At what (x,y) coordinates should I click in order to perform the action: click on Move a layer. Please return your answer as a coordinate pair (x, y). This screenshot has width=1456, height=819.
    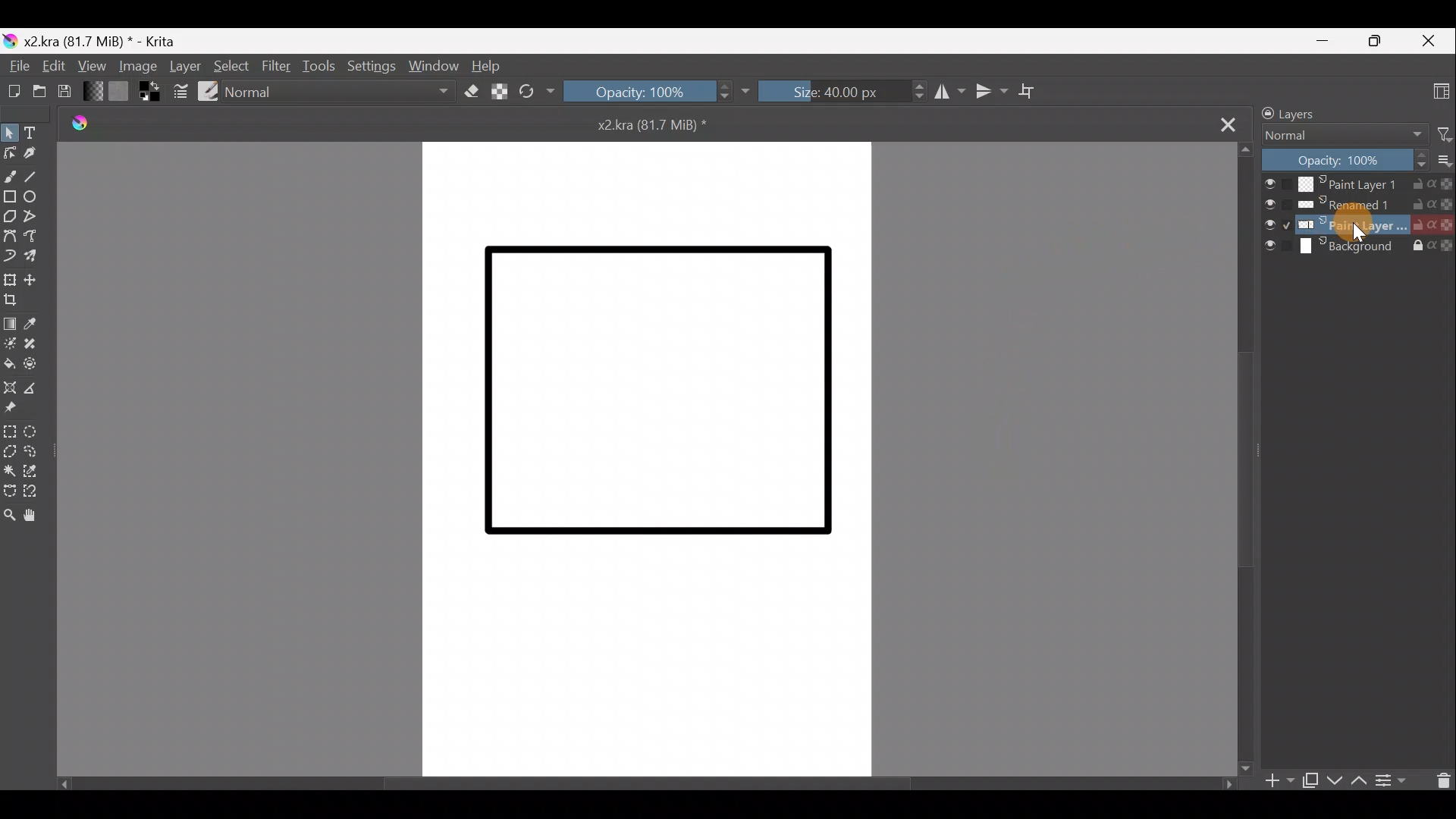
    Looking at the image, I should click on (39, 279).